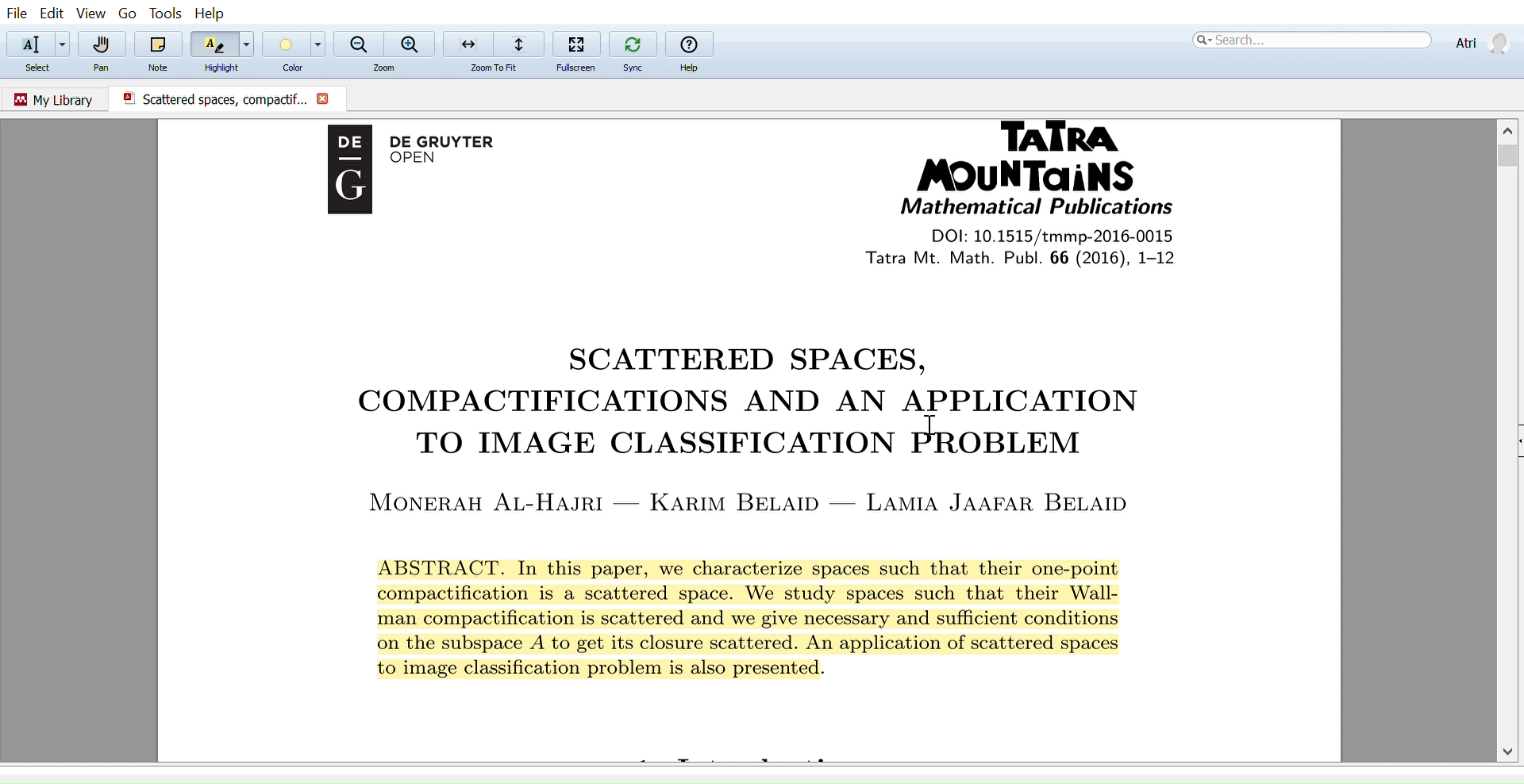  I want to click on Scattered spaces, compactific., so click(208, 98).